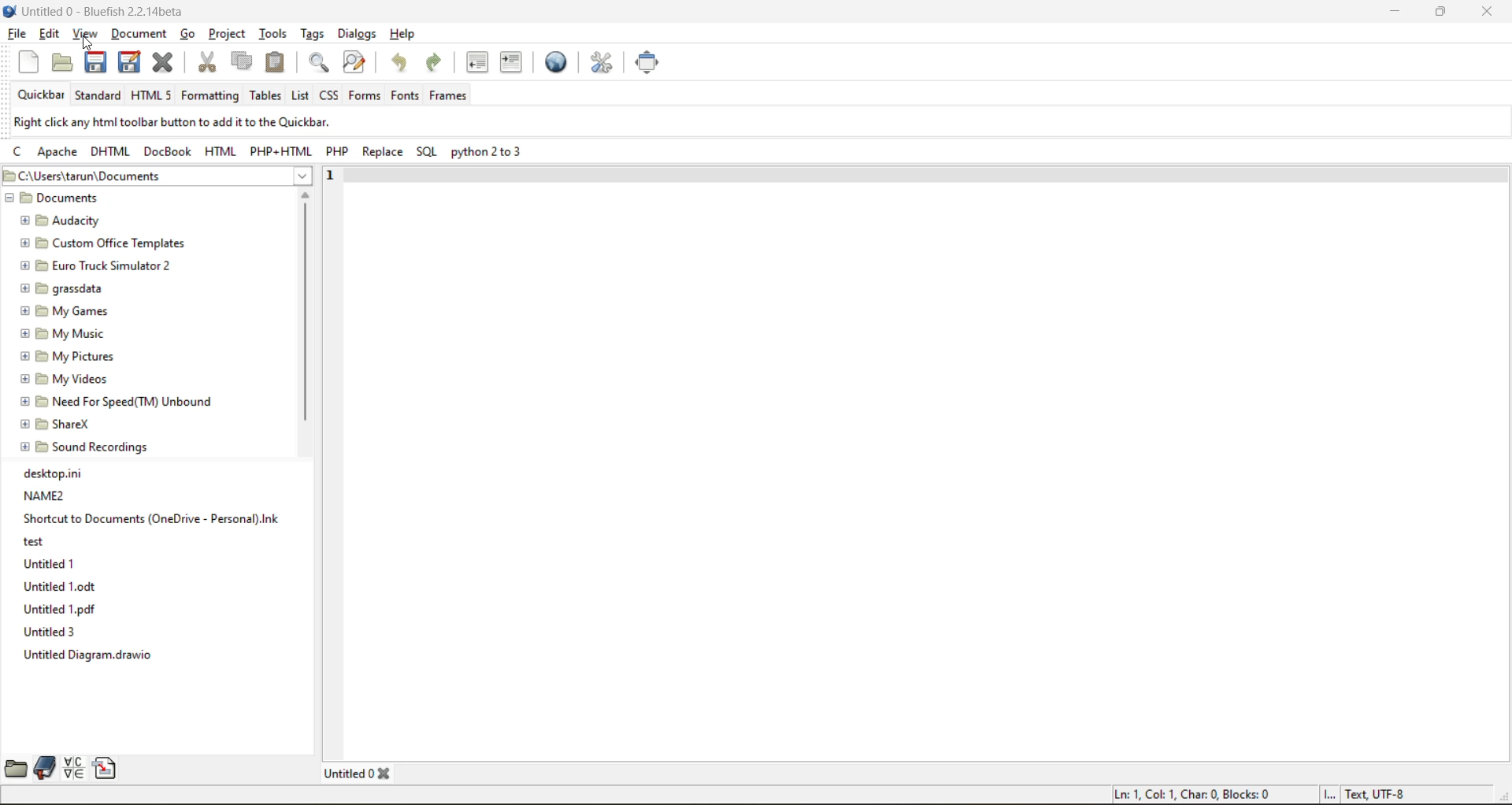 The height and width of the screenshot is (805, 1512). I want to click on list, so click(298, 95).